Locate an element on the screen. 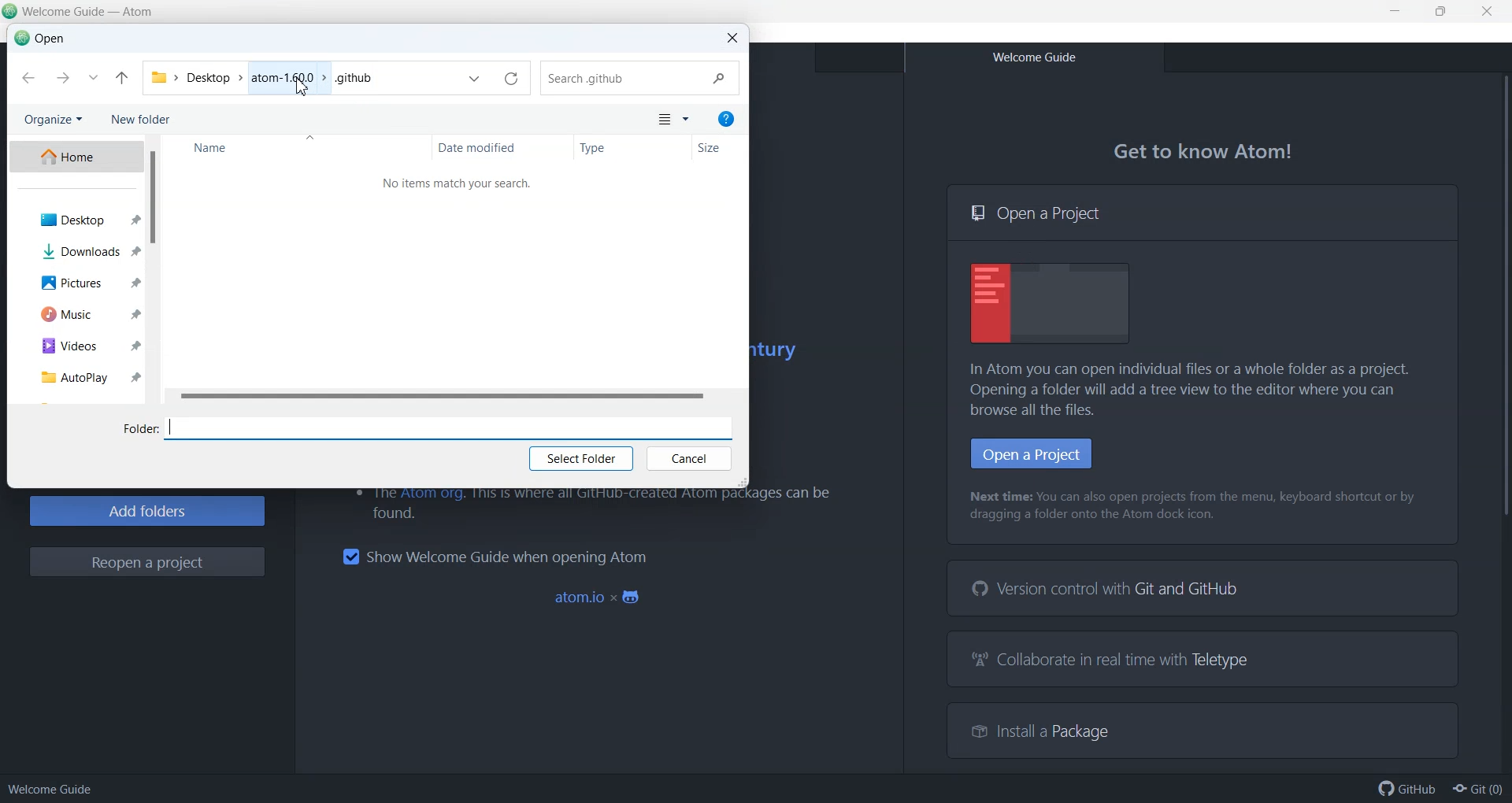 The height and width of the screenshot is (803, 1512). Add Folders is located at coordinates (146, 511).